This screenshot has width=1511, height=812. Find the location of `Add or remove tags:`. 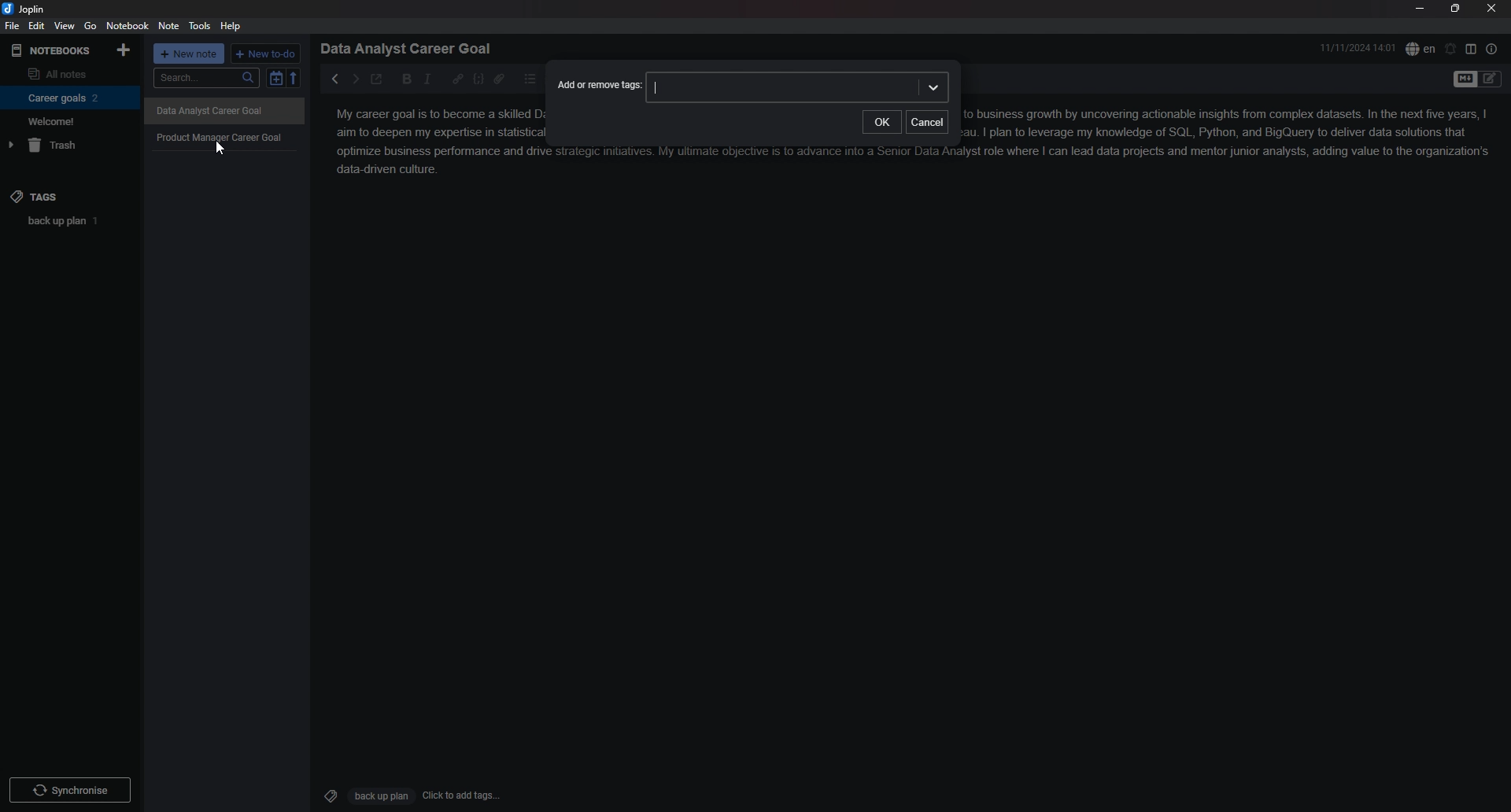

Add or remove tags: is located at coordinates (594, 81).